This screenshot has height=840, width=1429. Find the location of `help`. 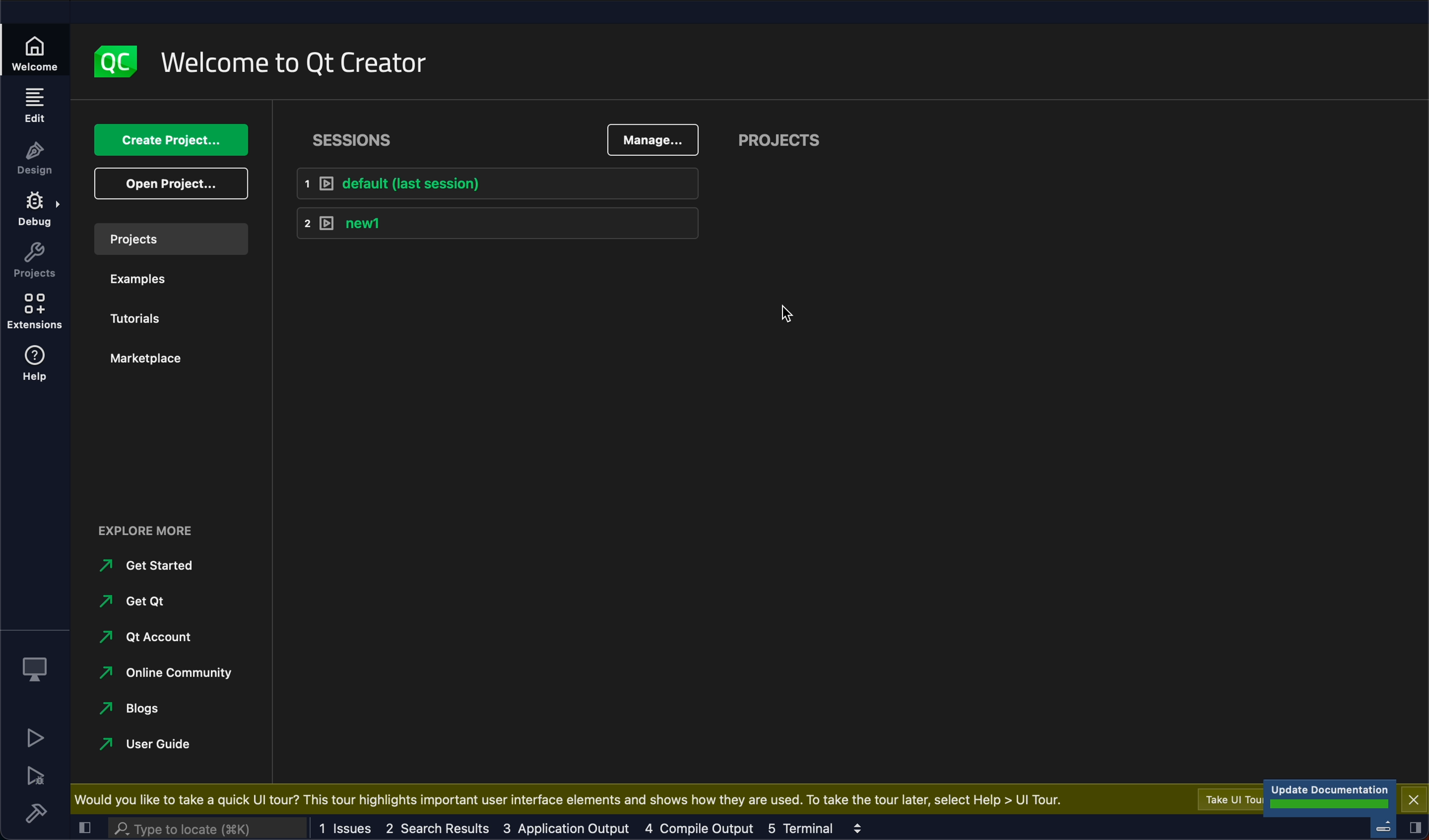

help is located at coordinates (36, 366).